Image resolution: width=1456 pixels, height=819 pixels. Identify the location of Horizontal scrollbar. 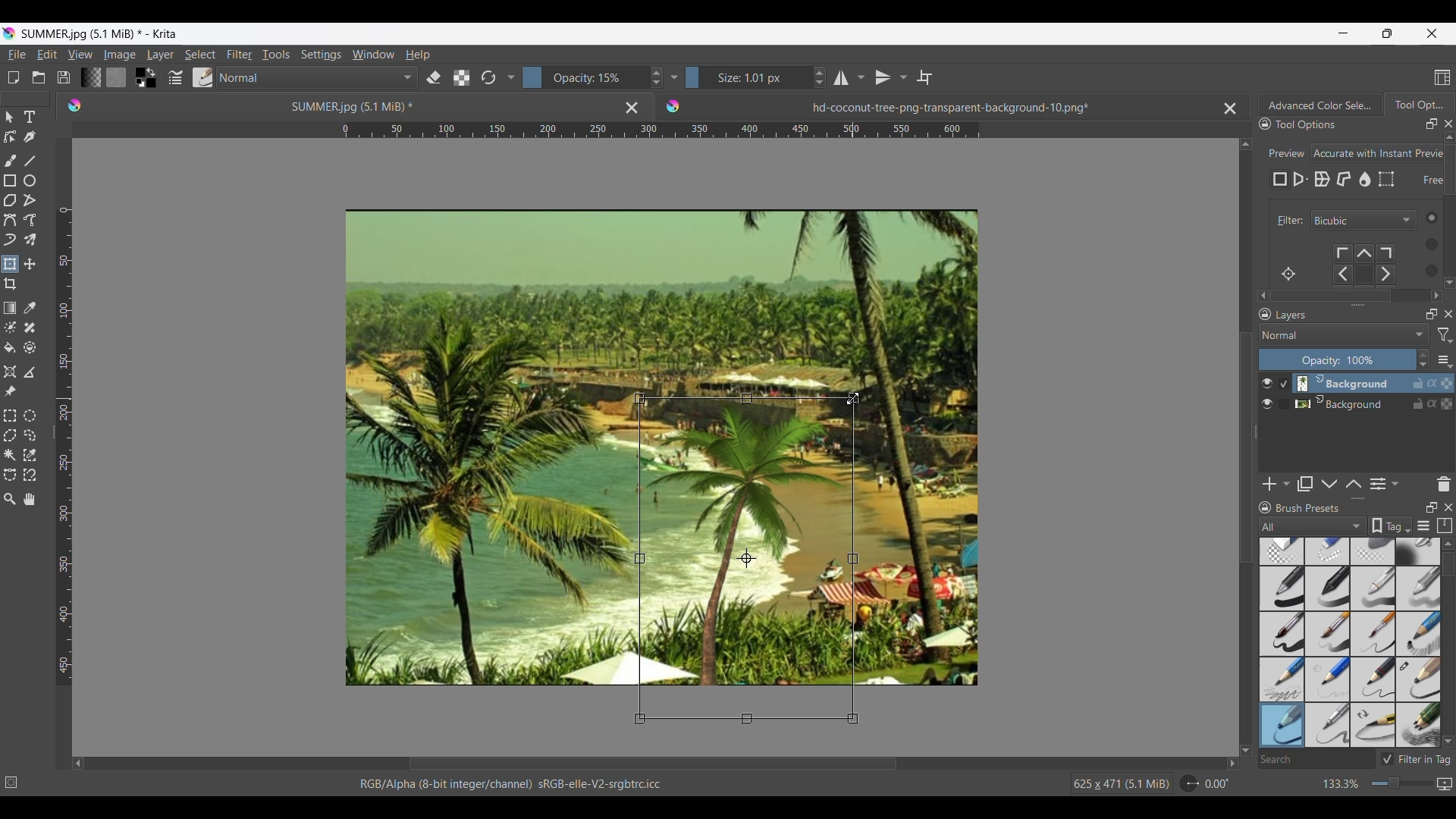
(1351, 296).